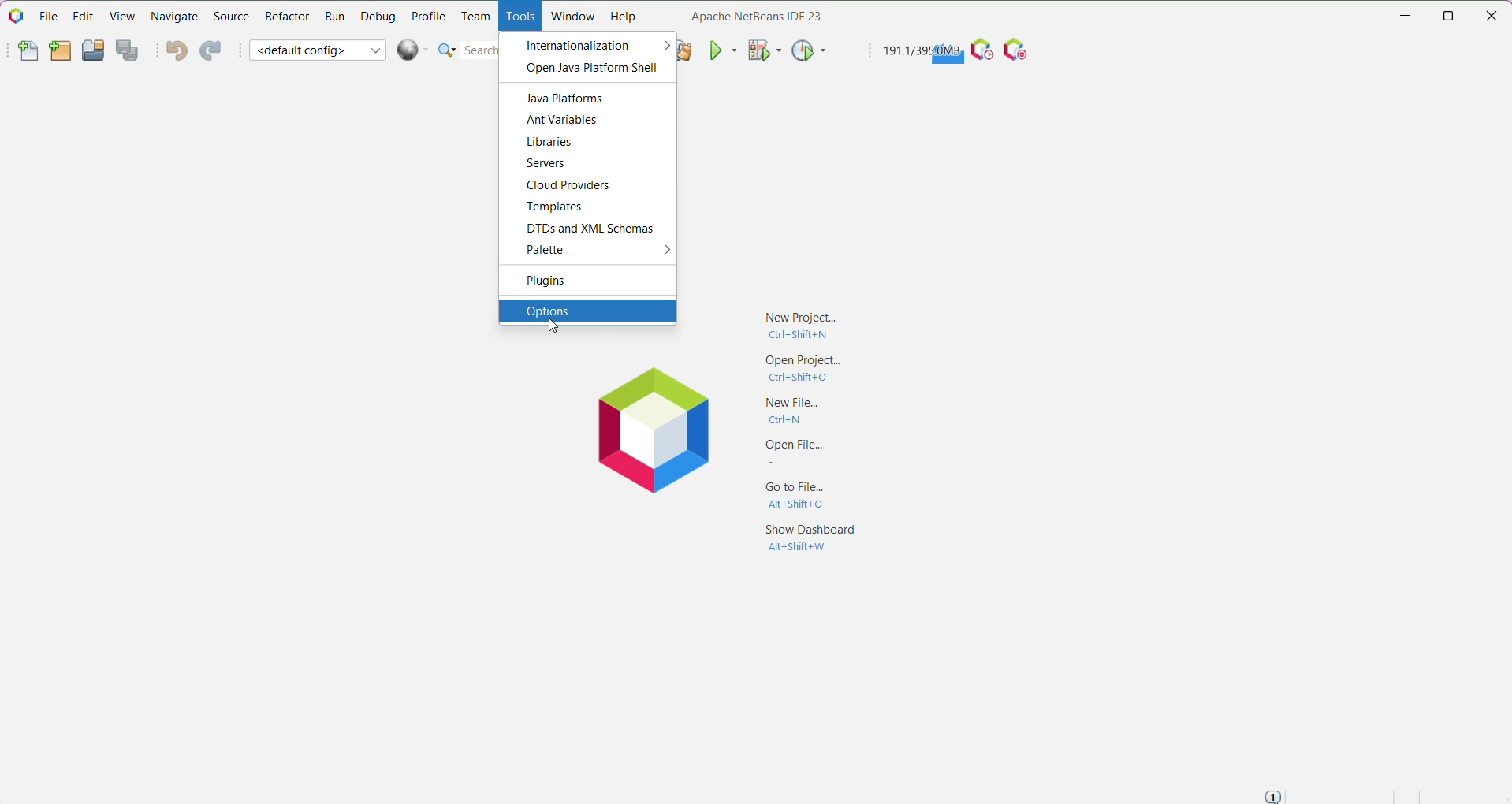 Image resolution: width=1512 pixels, height=804 pixels. Describe the element at coordinates (664, 43) in the screenshot. I see `More options` at that location.